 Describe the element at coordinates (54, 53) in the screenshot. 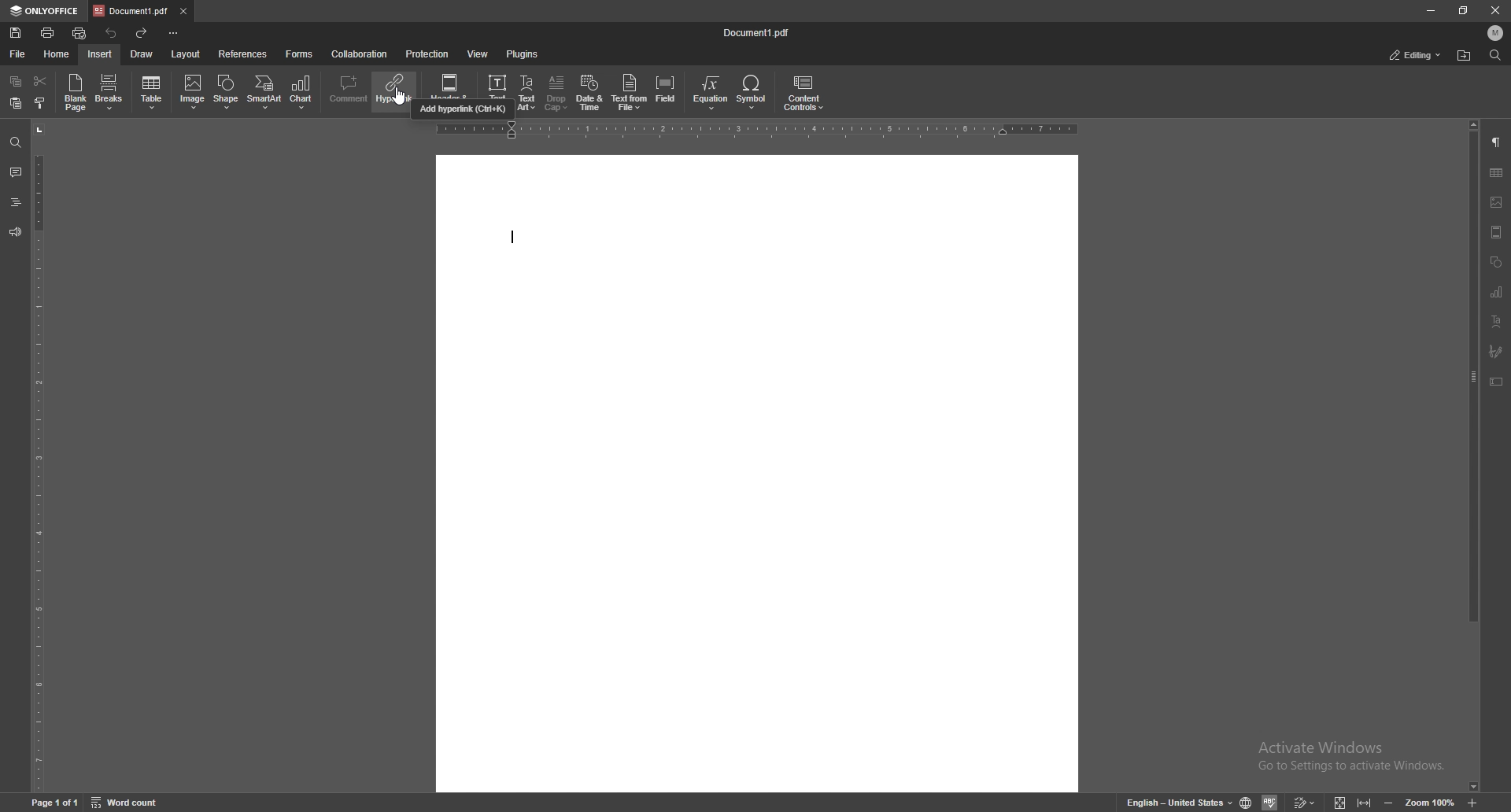

I see `home` at that location.